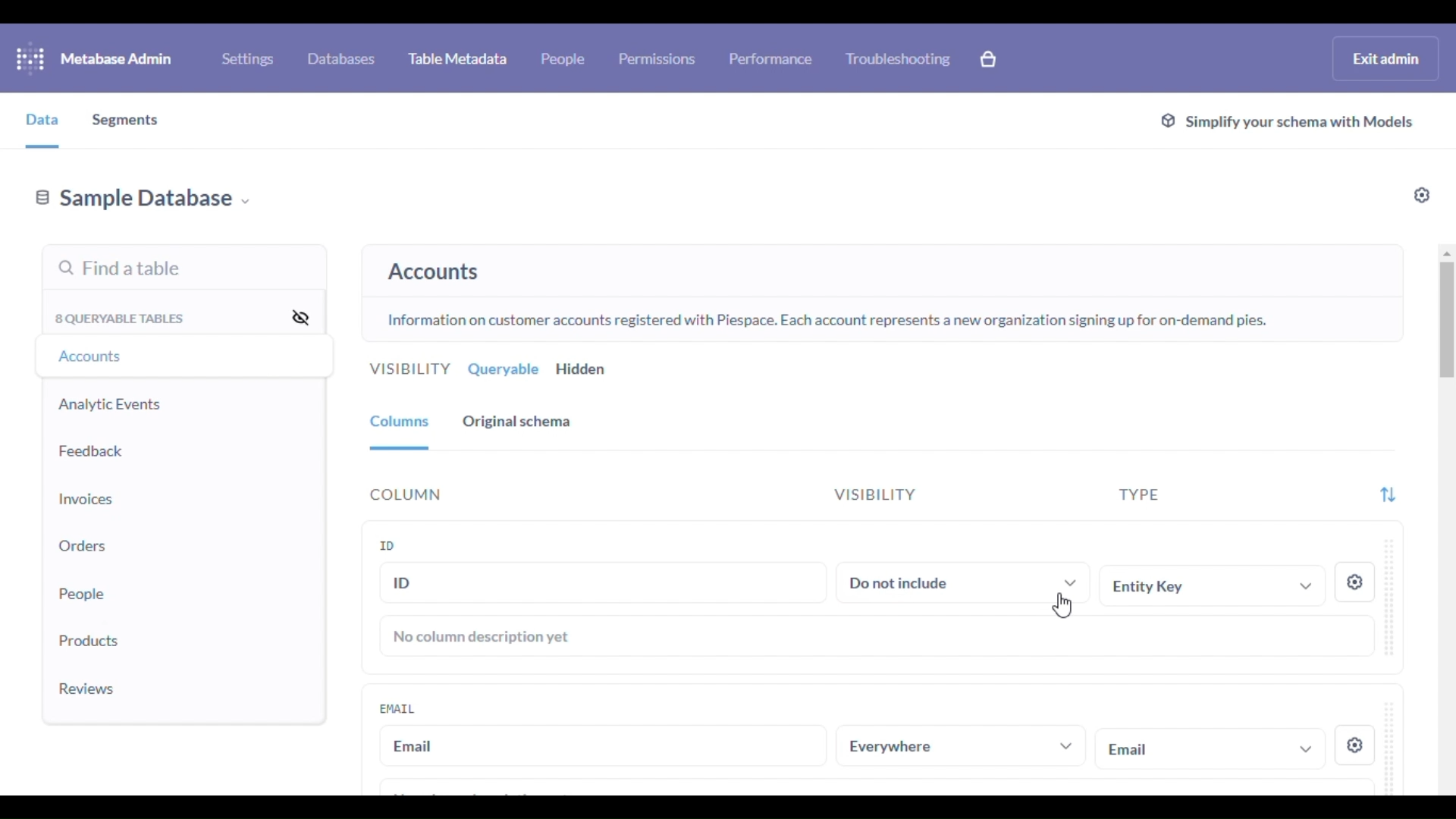 This screenshot has height=819, width=1456. What do you see at coordinates (122, 318) in the screenshot?
I see `8 queryable tables` at bounding box center [122, 318].